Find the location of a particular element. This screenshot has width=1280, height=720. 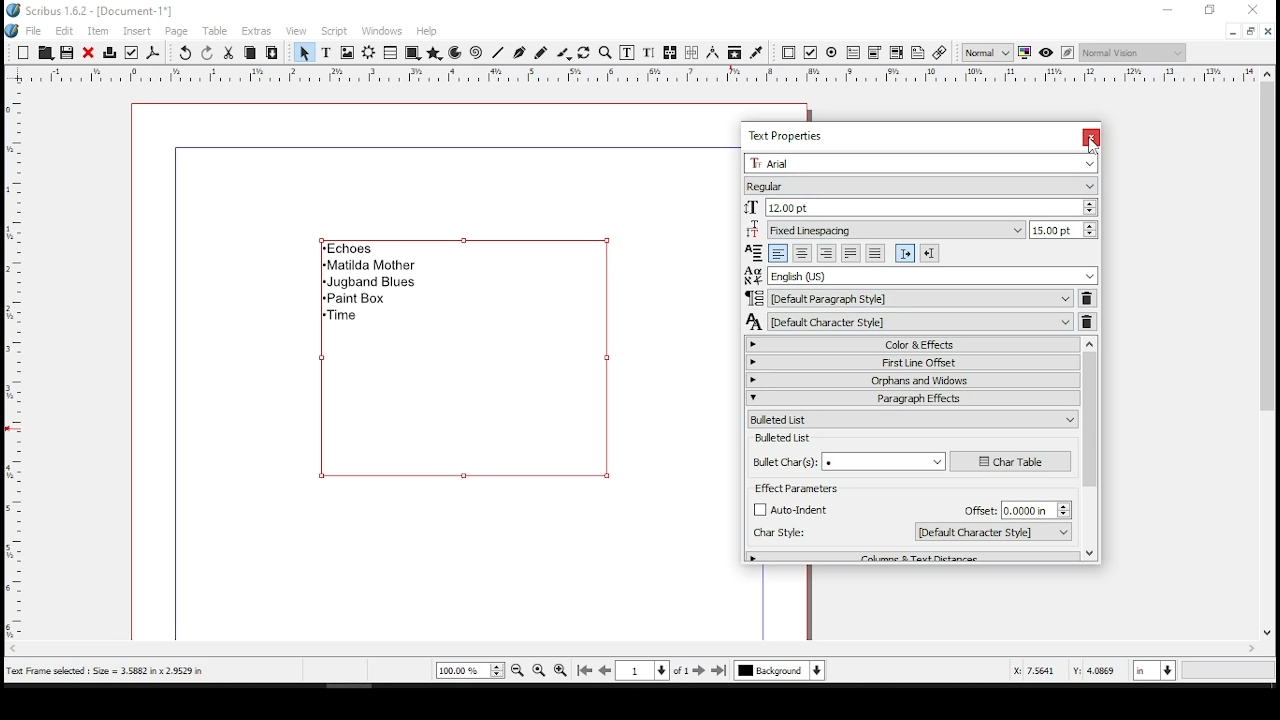

 is located at coordinates (45, 52).